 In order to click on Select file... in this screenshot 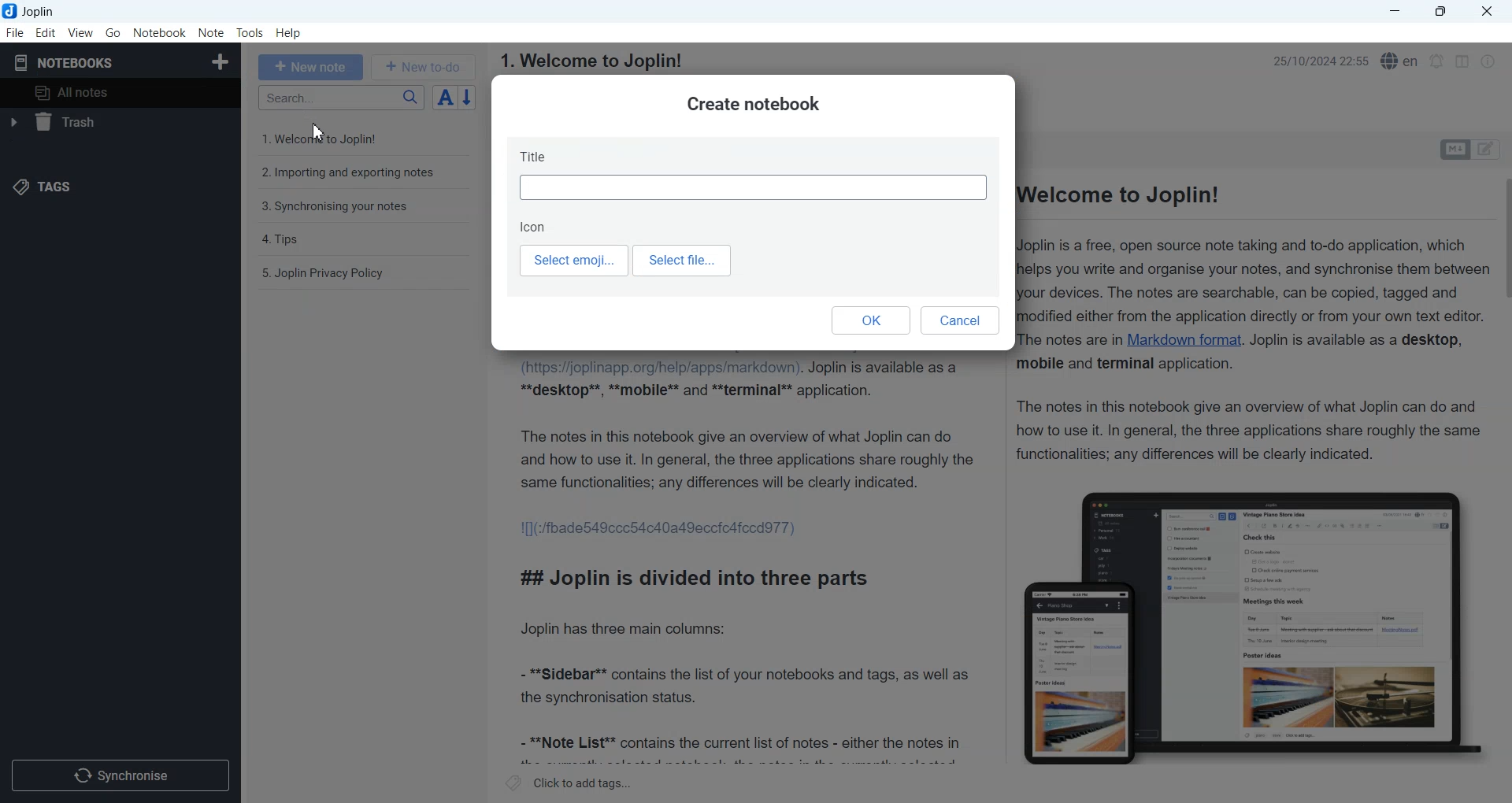, I will do `click(684, 261)`.